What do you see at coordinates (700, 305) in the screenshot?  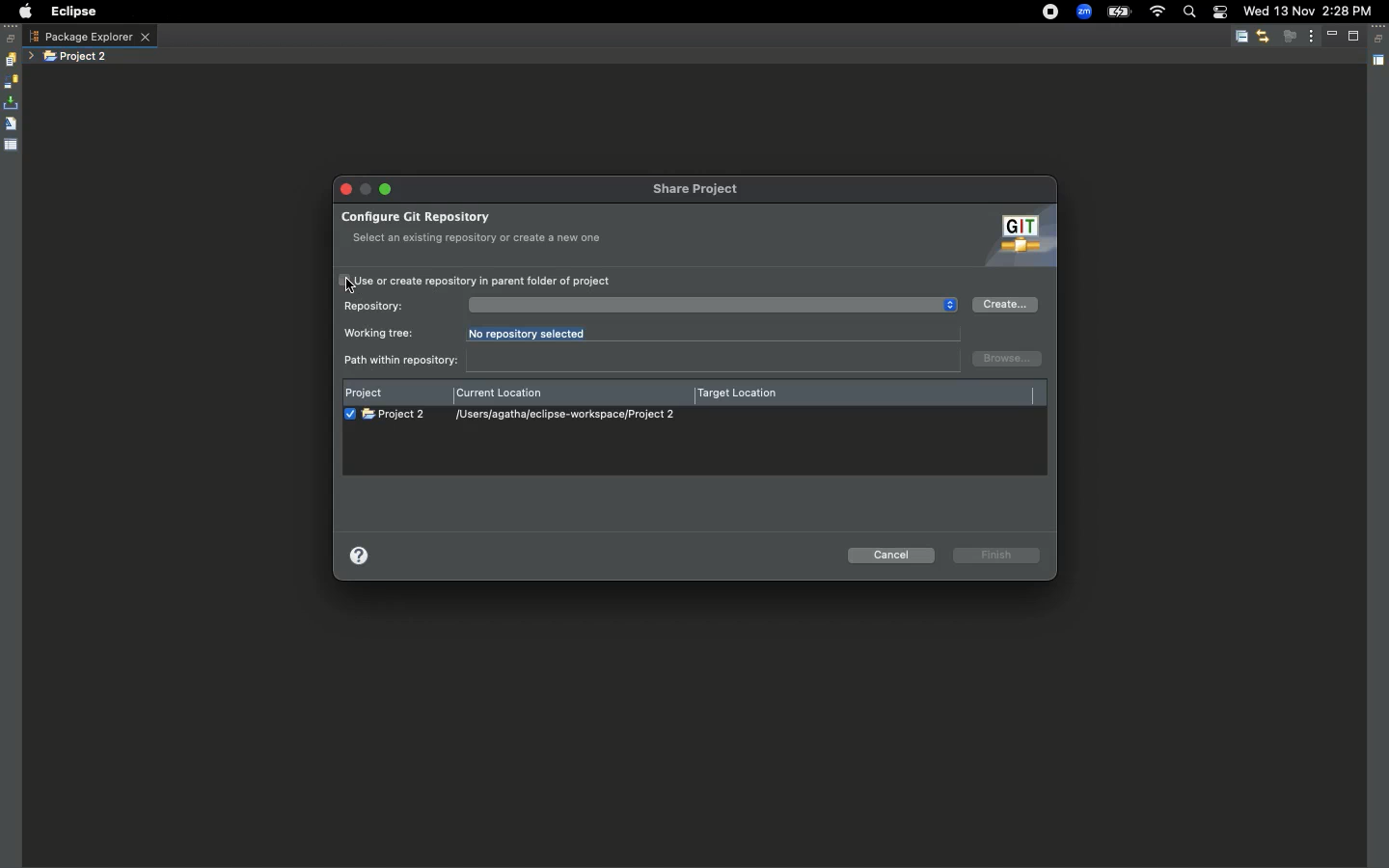 I see `repository information` at bounding box center [700, 305].